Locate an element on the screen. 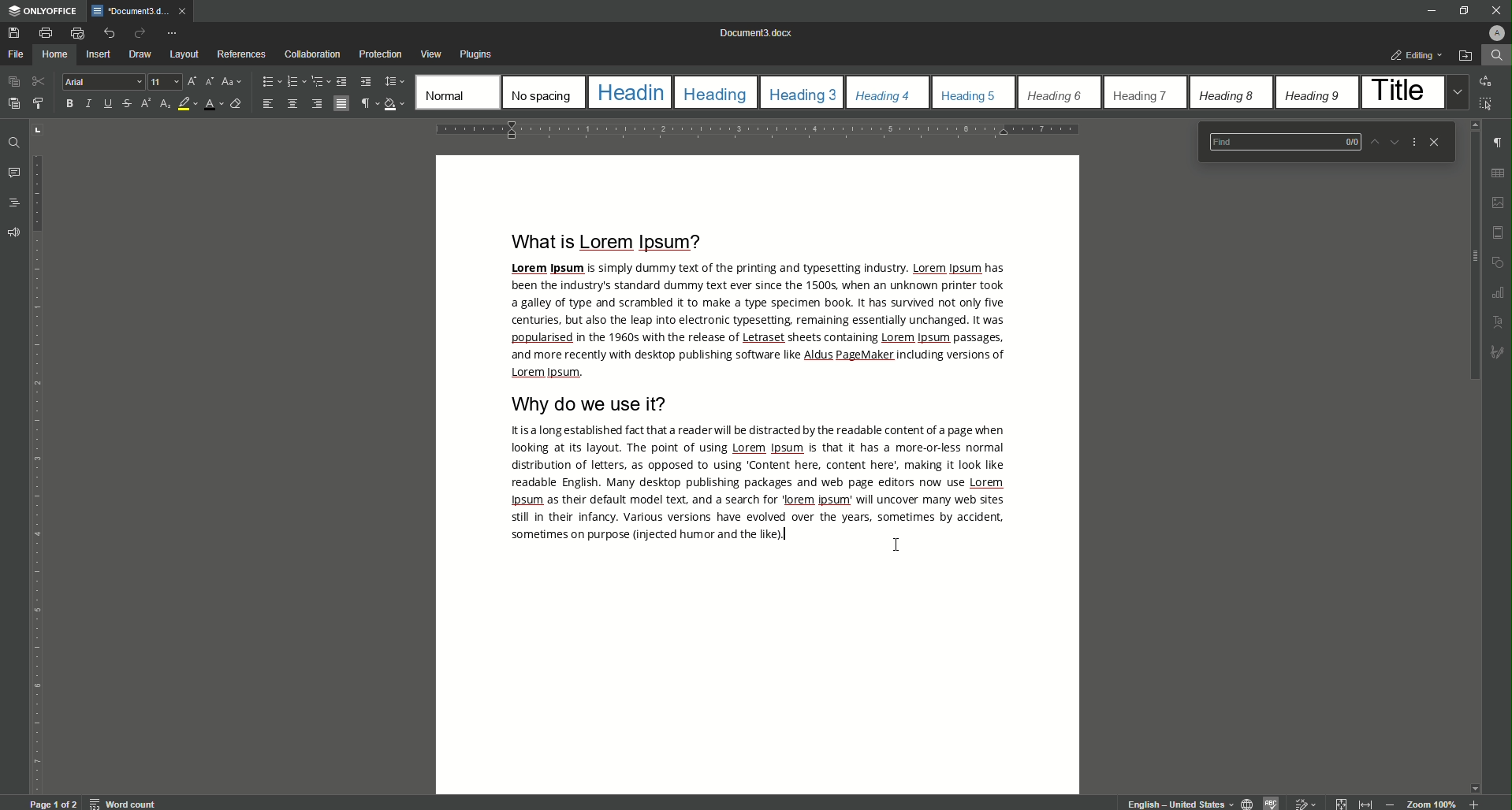 This screenshot has height=810, width=1512. photo is located at coordinates (1499, 198).